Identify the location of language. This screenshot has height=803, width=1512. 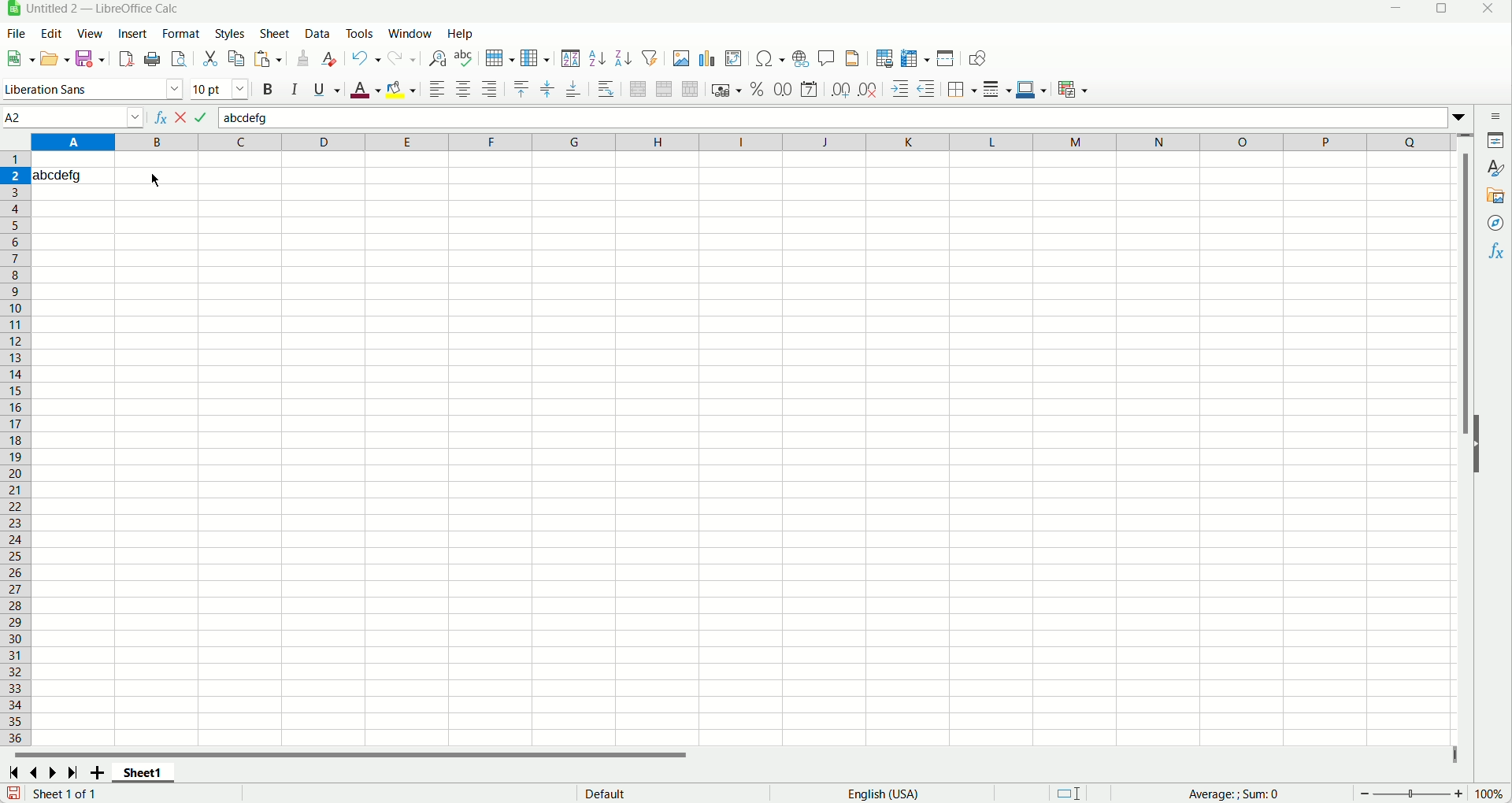
(883, 794).